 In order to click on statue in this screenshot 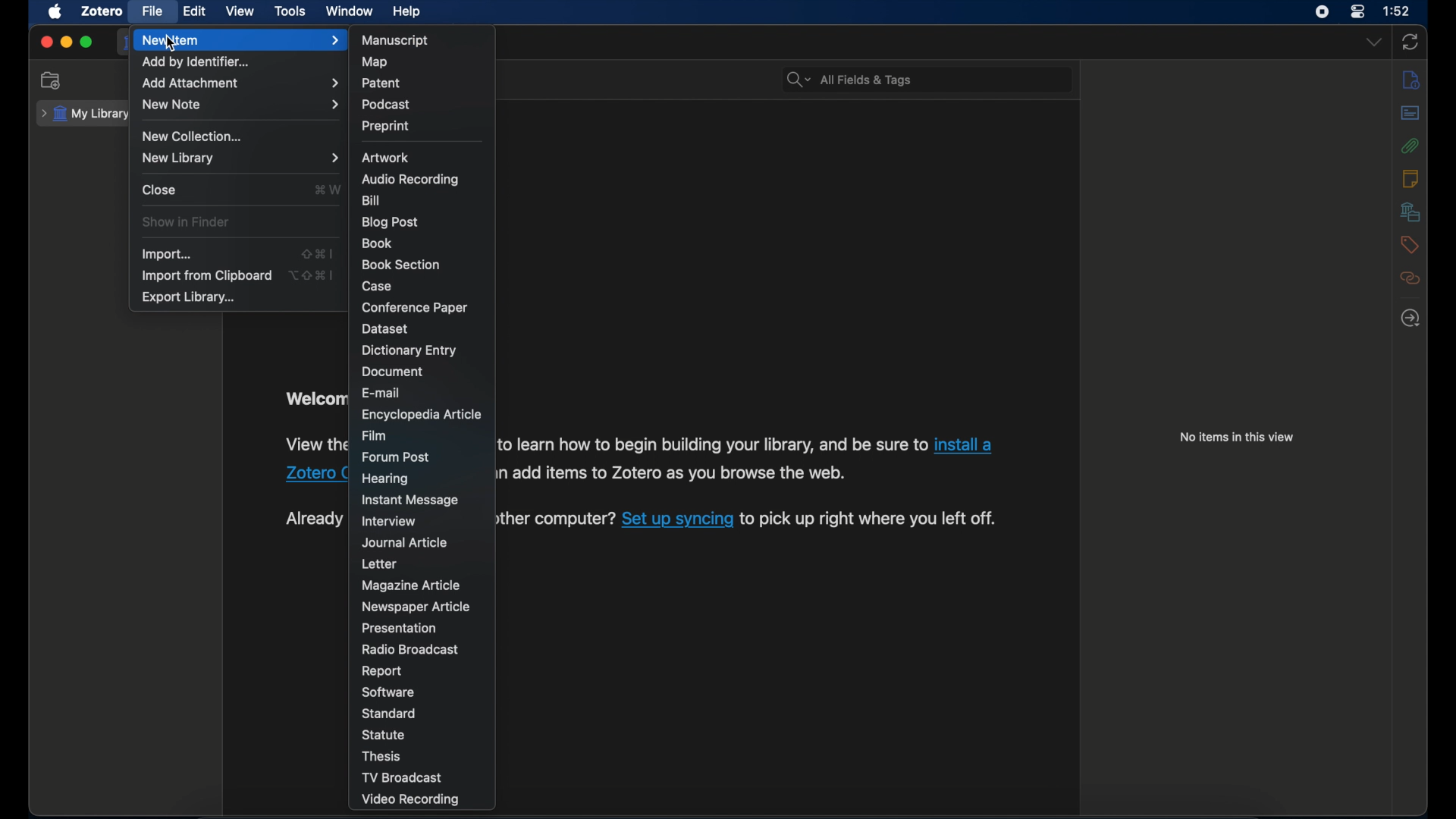, I will do `click(385, 734)`.